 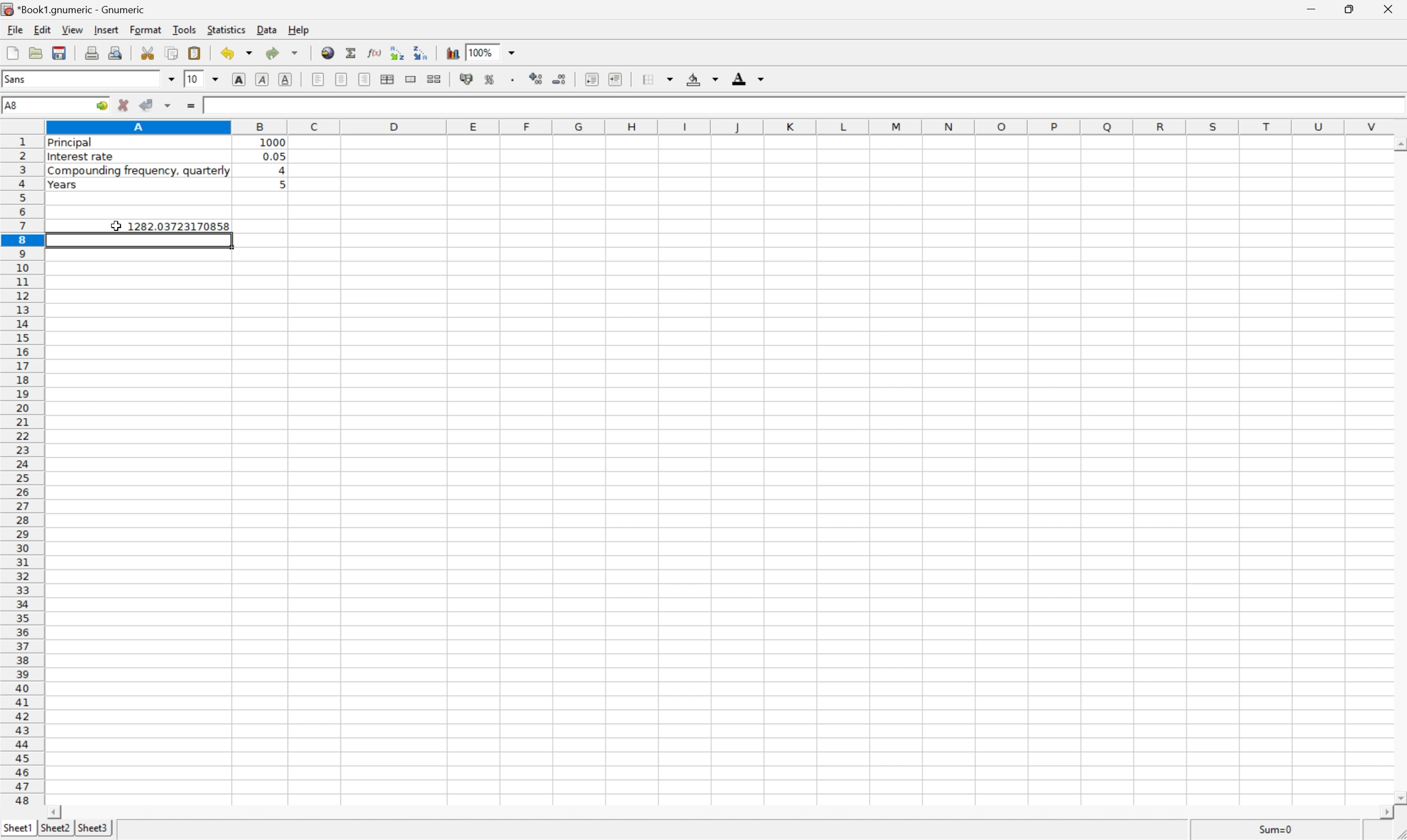 What do you see at coordinates (561, 79) in the screenshot?
I see `decrease number of decimals displayed` at bounding box center [561, 79].